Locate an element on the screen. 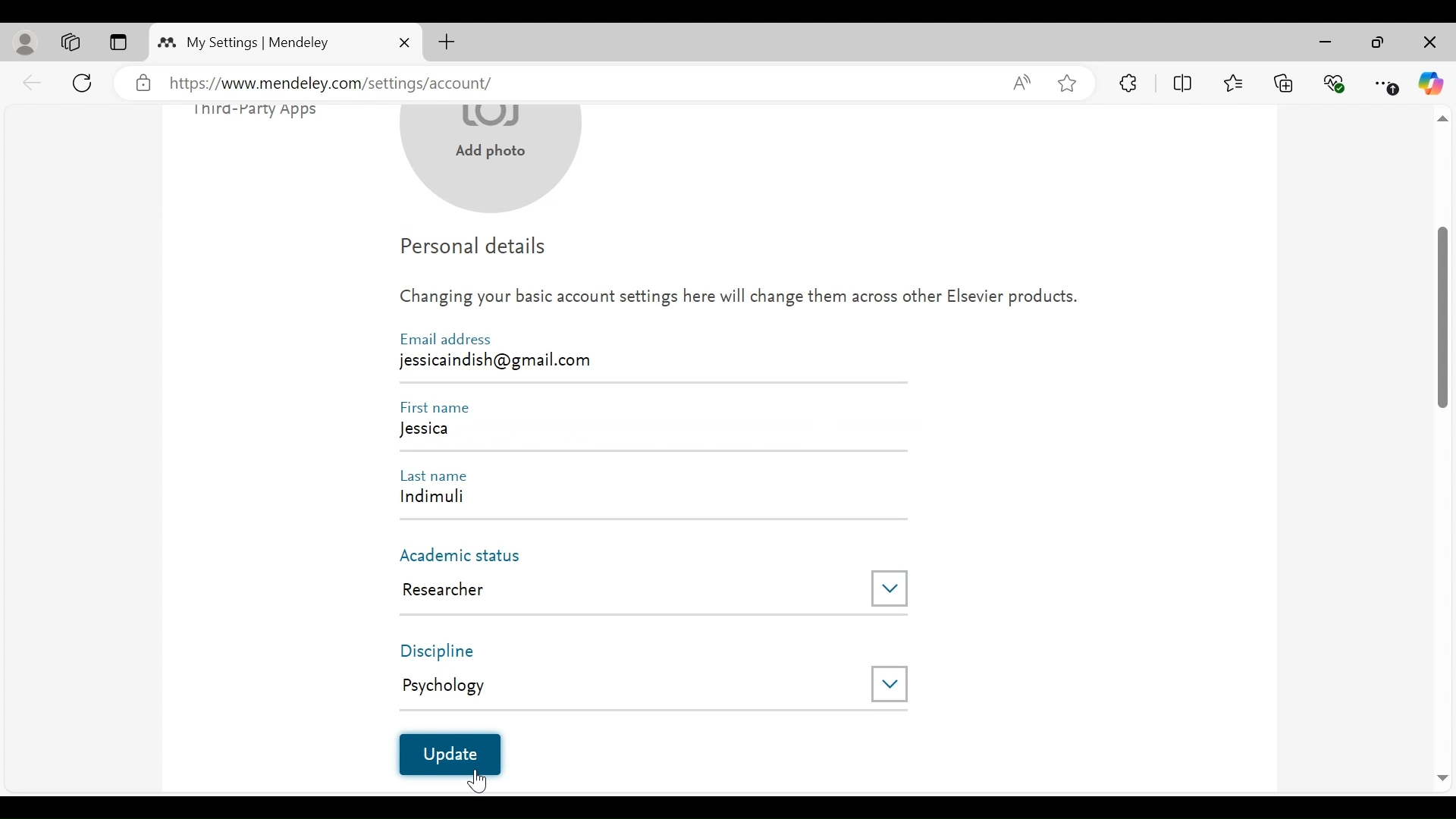 This screenshot has width=1456, height=819. Email Address is located at coordinates (445, 339).